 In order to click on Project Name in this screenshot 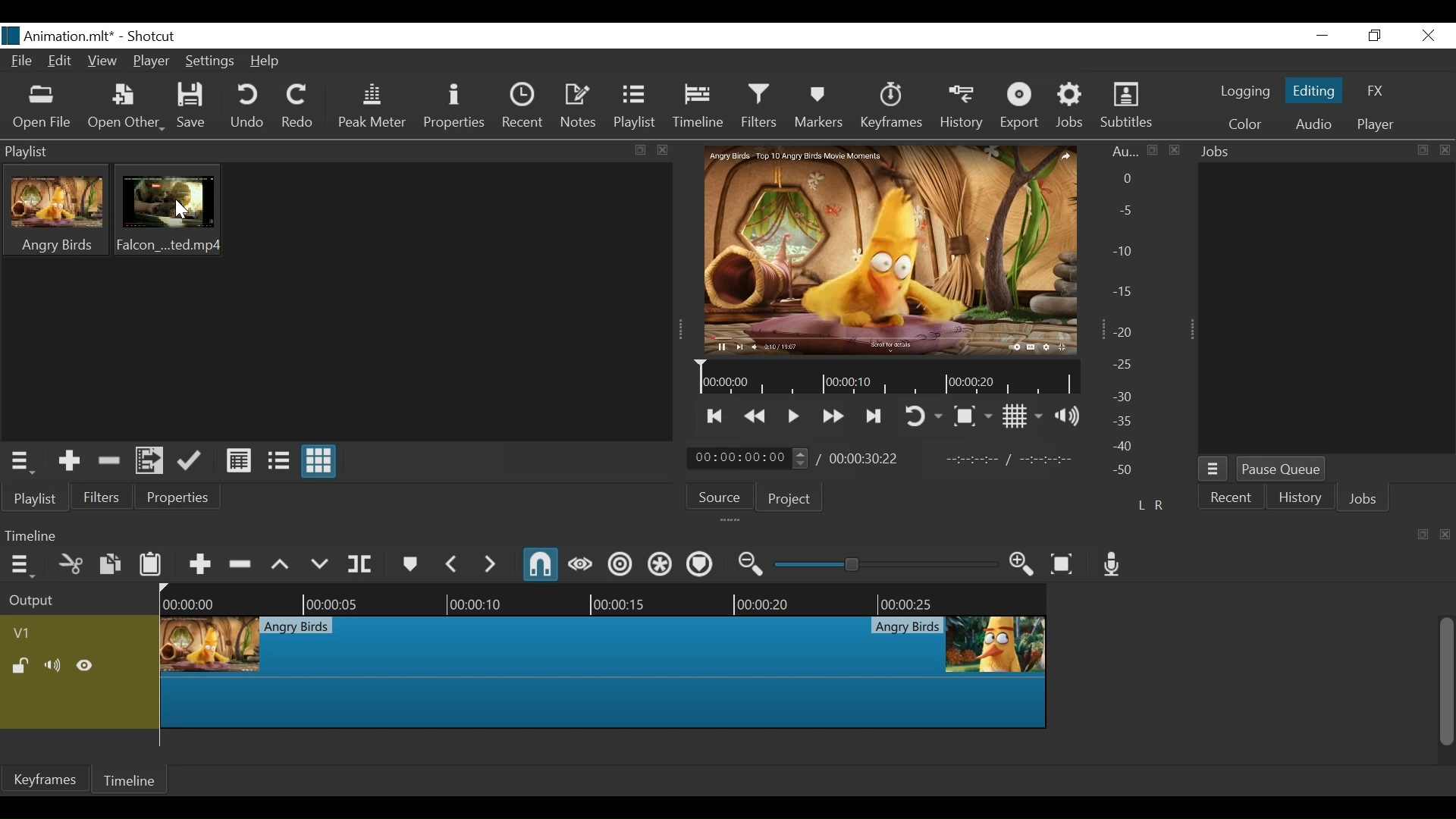, I will do `click(71, 38)`.